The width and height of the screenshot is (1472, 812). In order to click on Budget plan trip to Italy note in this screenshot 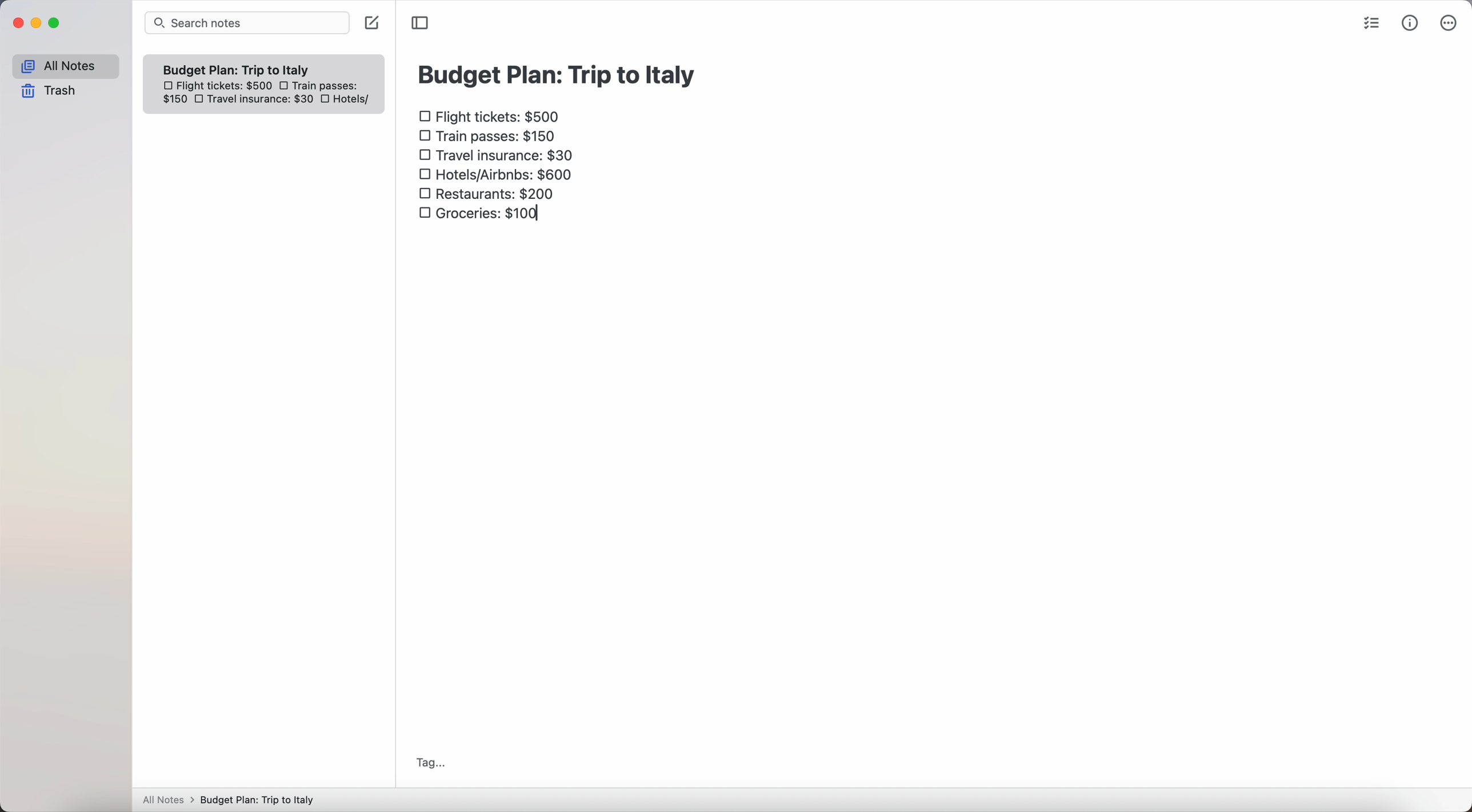, I will do `click(238, 69)`.